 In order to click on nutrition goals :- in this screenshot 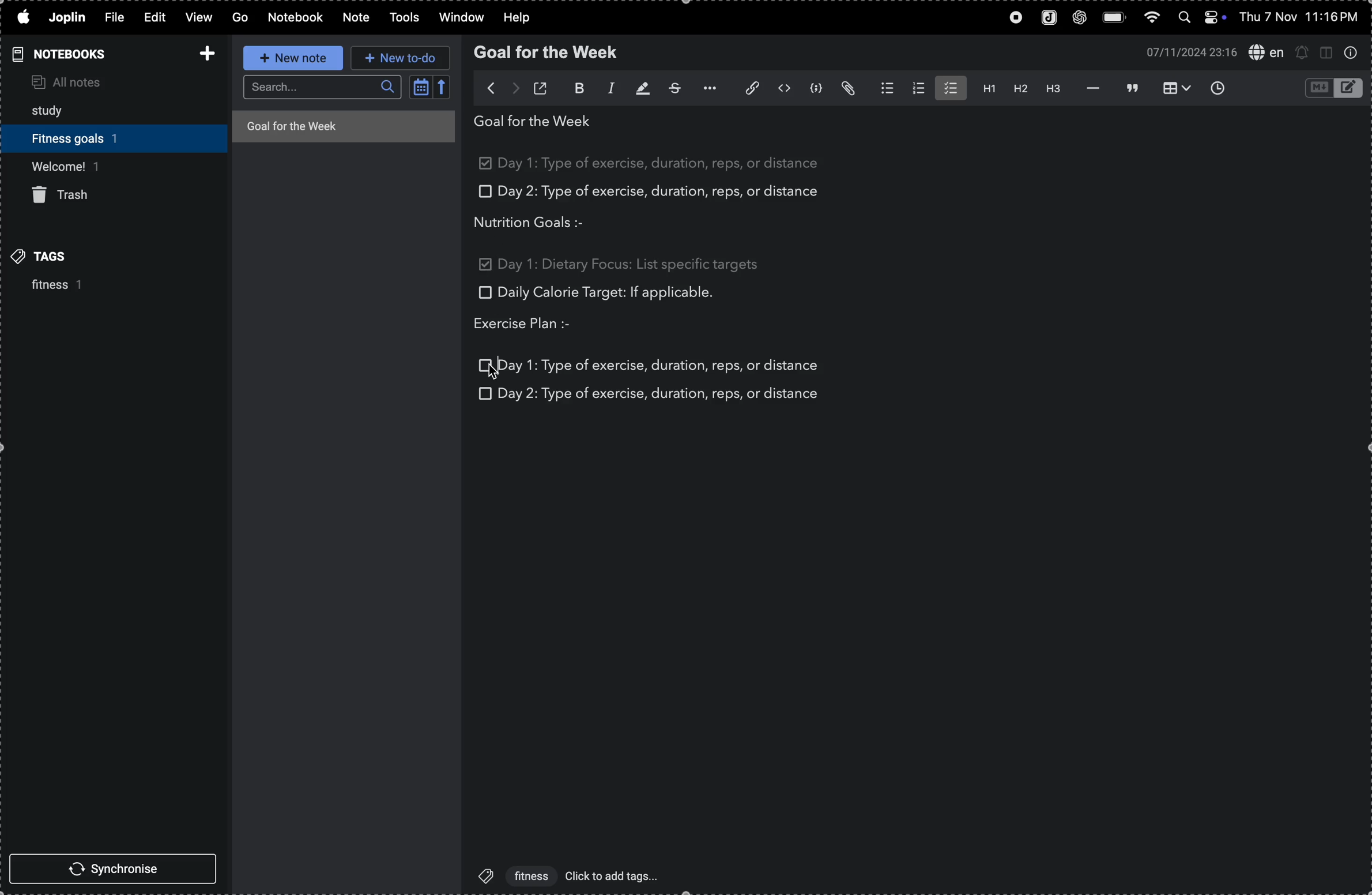, I will do `click(540, 222)`.